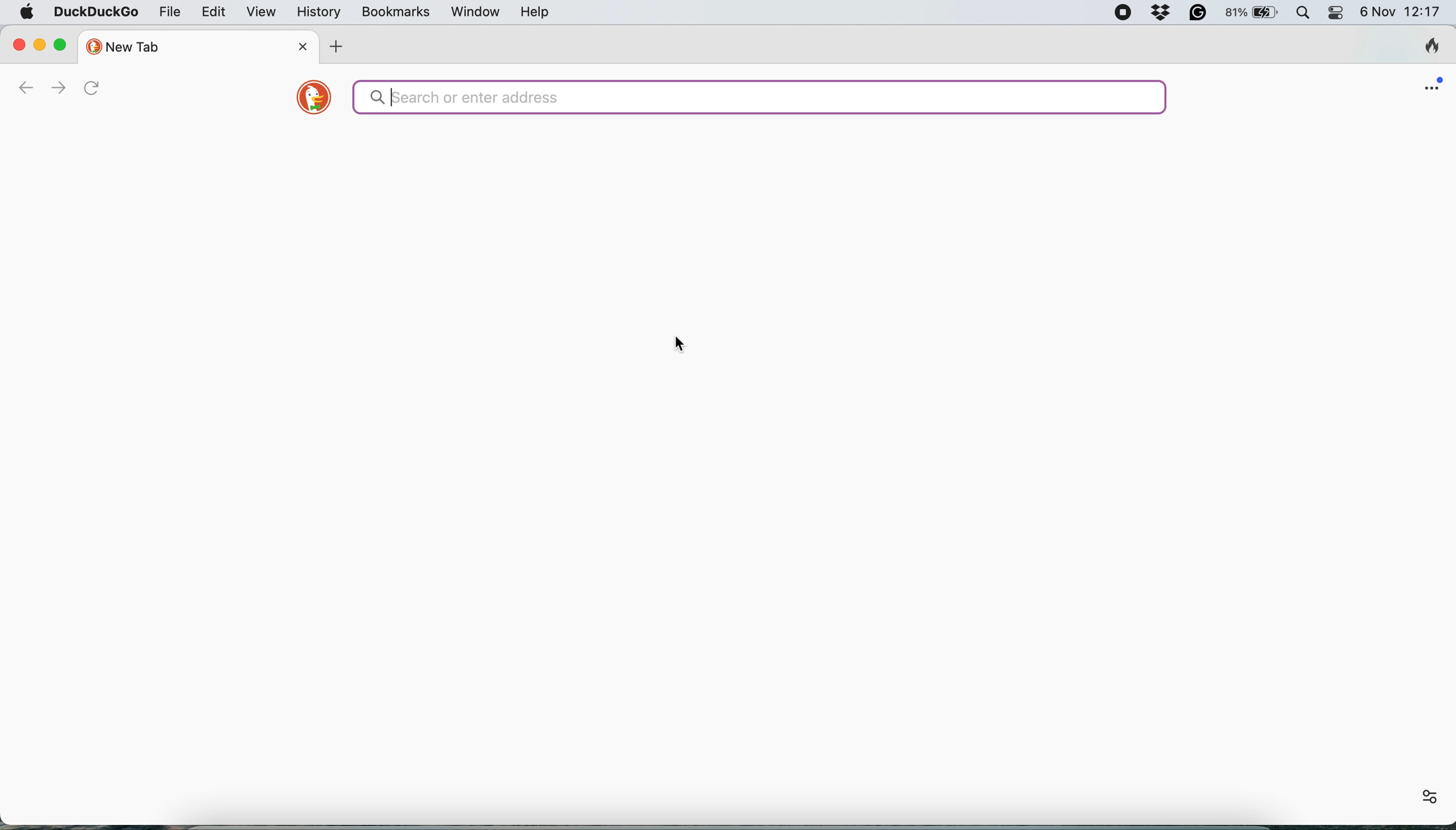  I want to click on view, so click(262, 13).